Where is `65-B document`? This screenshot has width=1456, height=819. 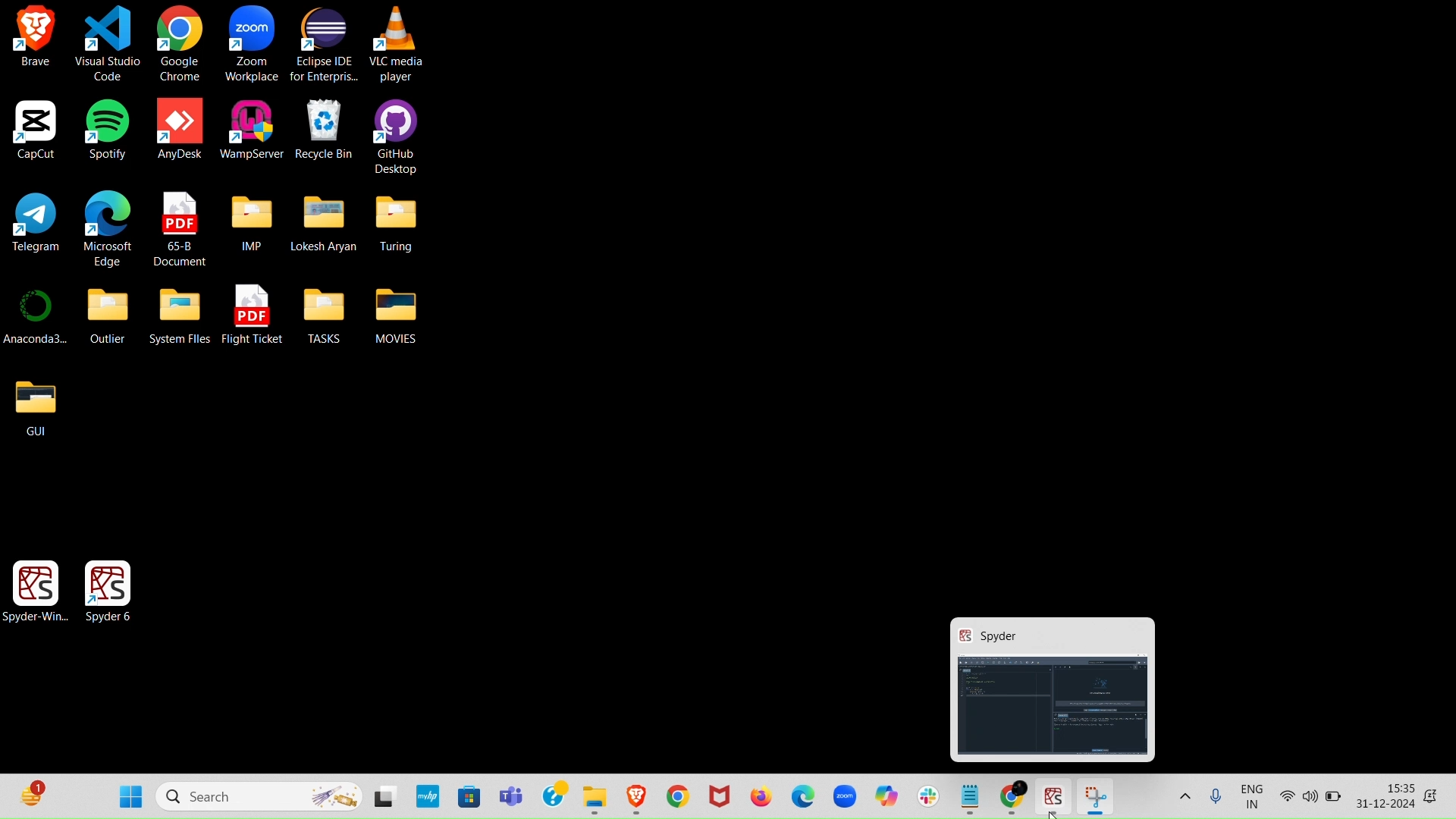 65-B document is located at coordinates (182, 227).